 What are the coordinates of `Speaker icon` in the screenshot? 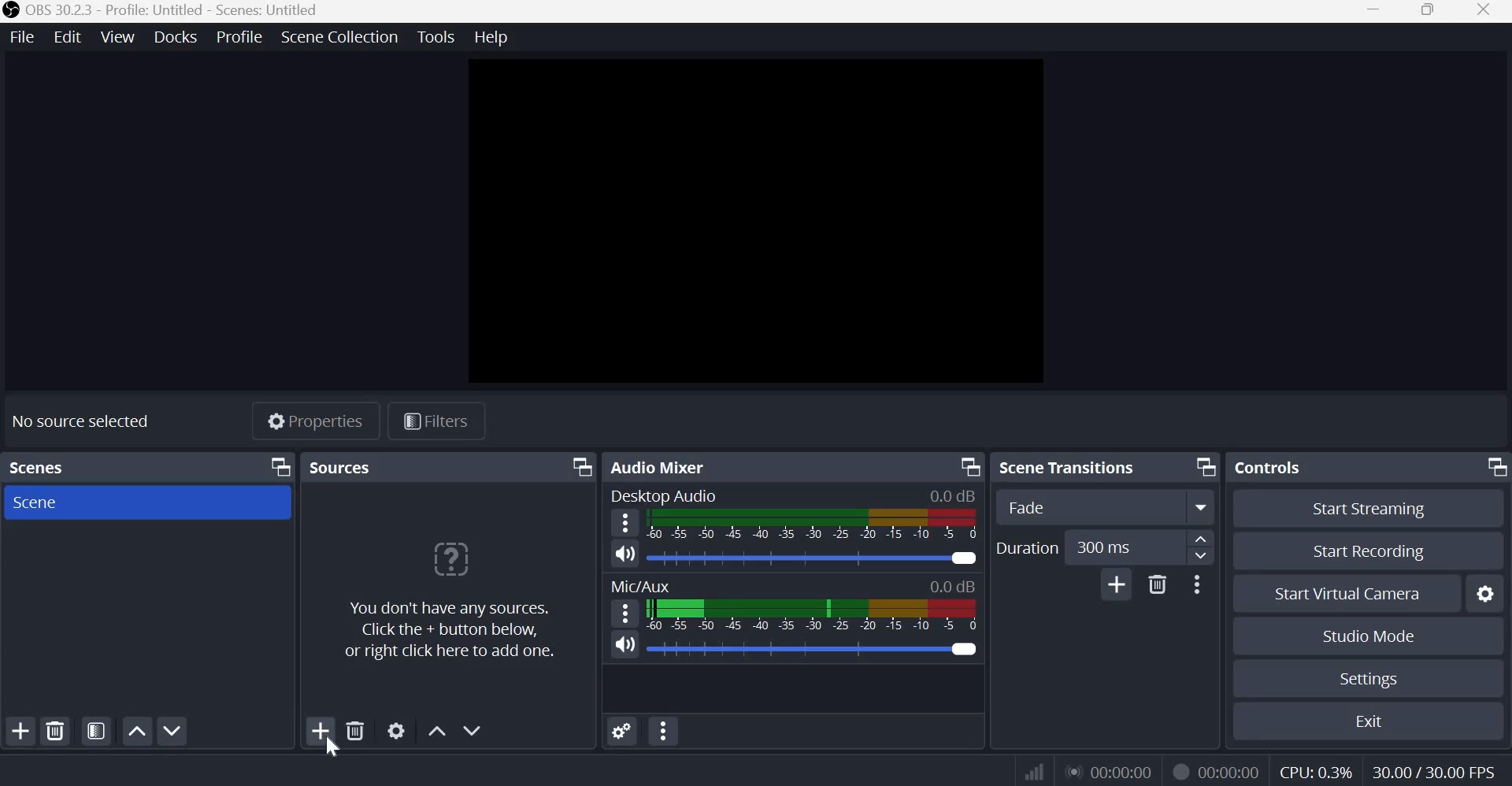 It's located at (625, 645).